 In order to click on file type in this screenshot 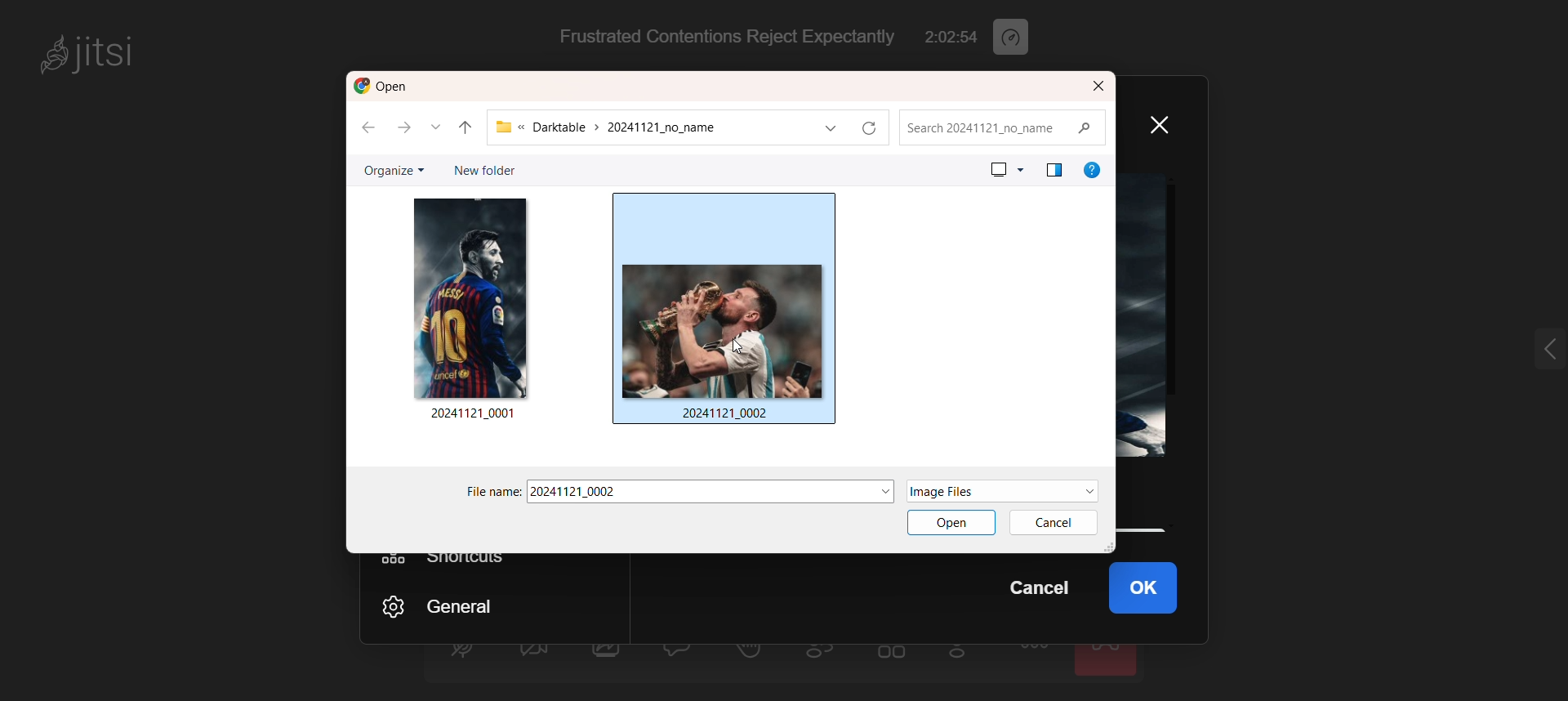, I will do `click(977, 491)`.